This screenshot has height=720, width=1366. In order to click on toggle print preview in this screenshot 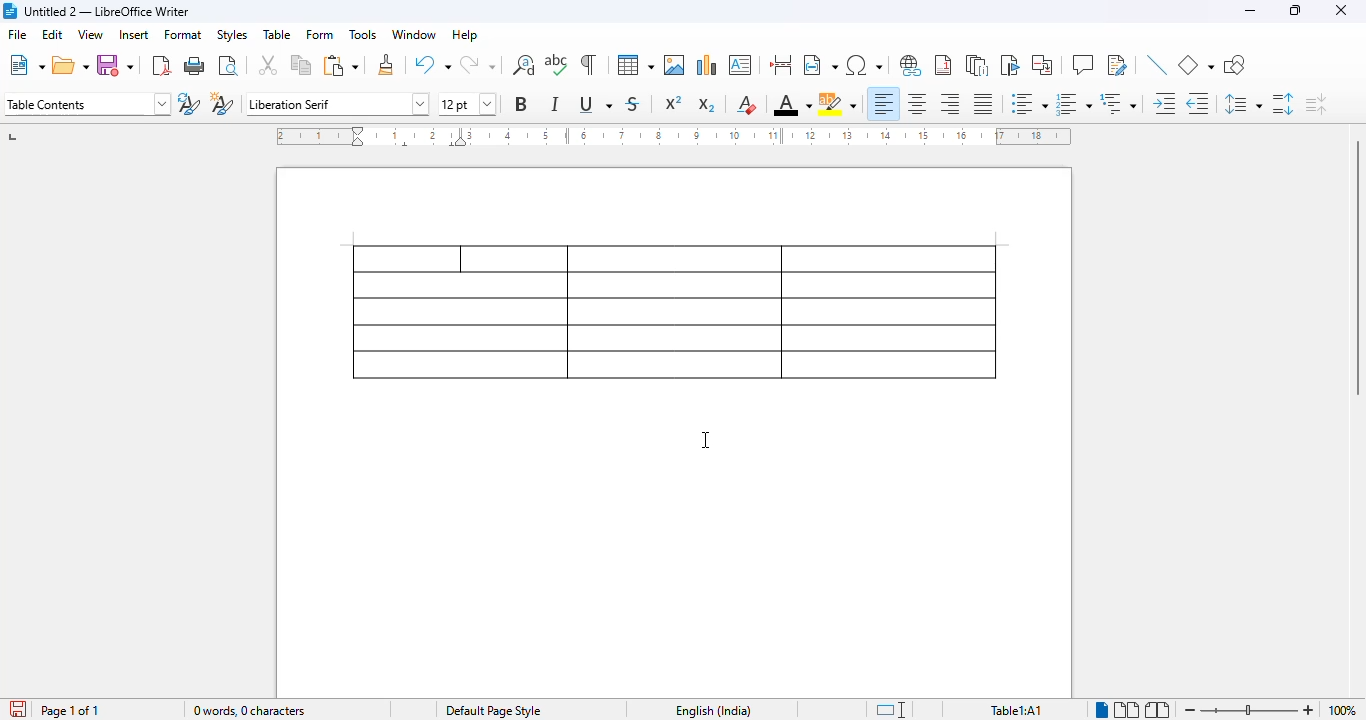, I will do `click(227, 66)`.